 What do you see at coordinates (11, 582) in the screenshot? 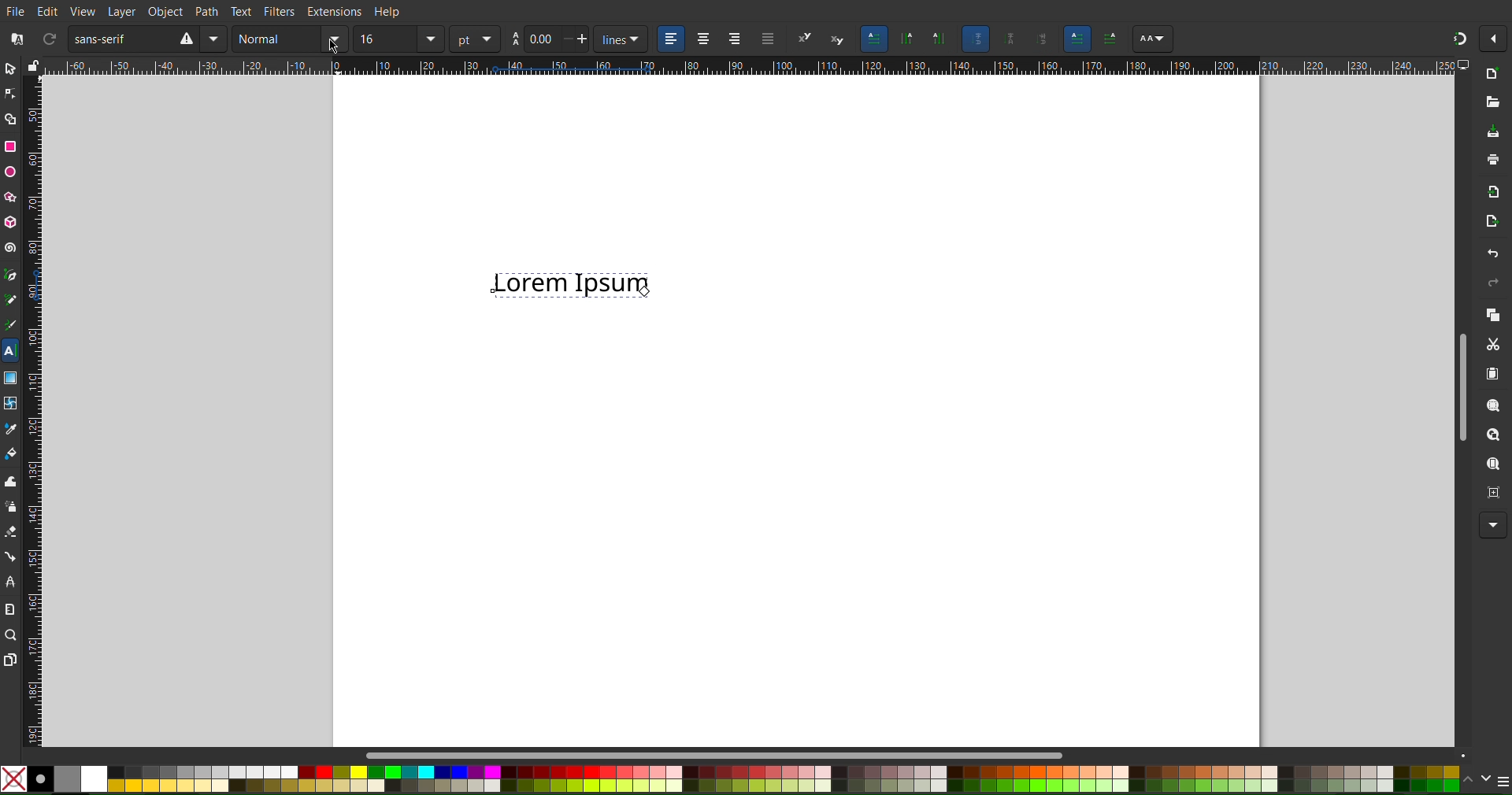
I see `LPE Tool` at bounding box center [11, 582].